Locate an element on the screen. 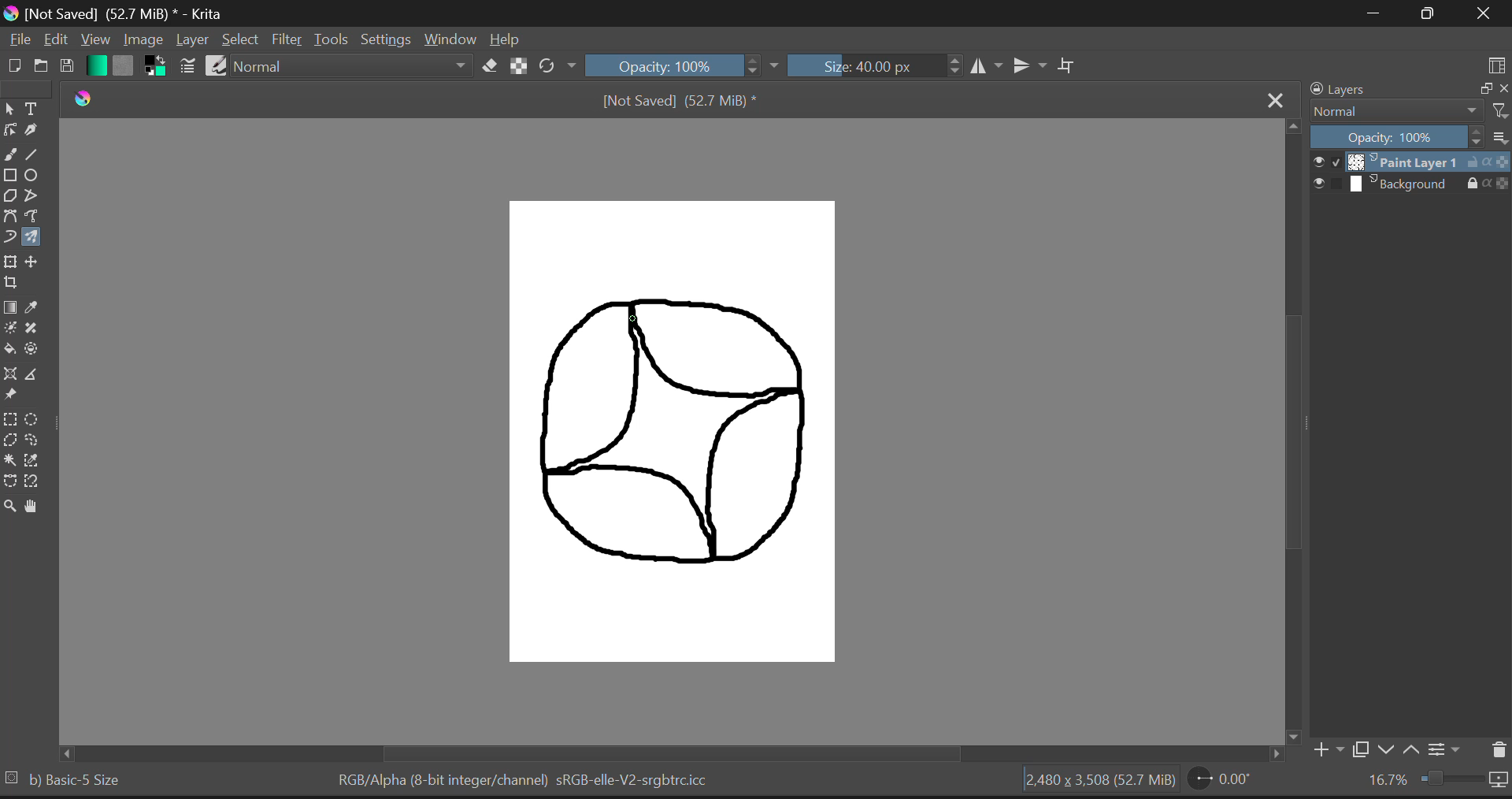 The width and height of the screenshot is (1512, 799). Image is located at coordinates (143, 40).